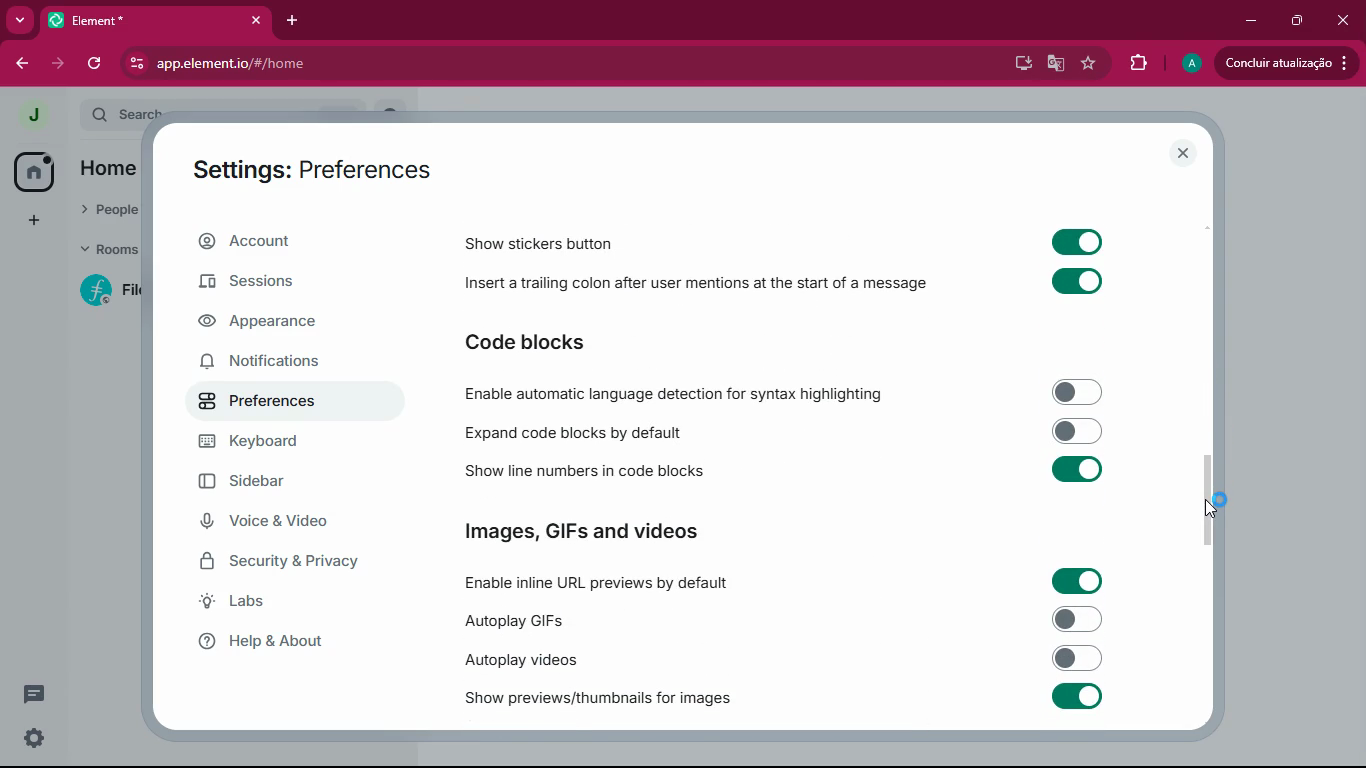 This screenshot has width=1366, height=768. I want to click on add tab, so click(294, 20).